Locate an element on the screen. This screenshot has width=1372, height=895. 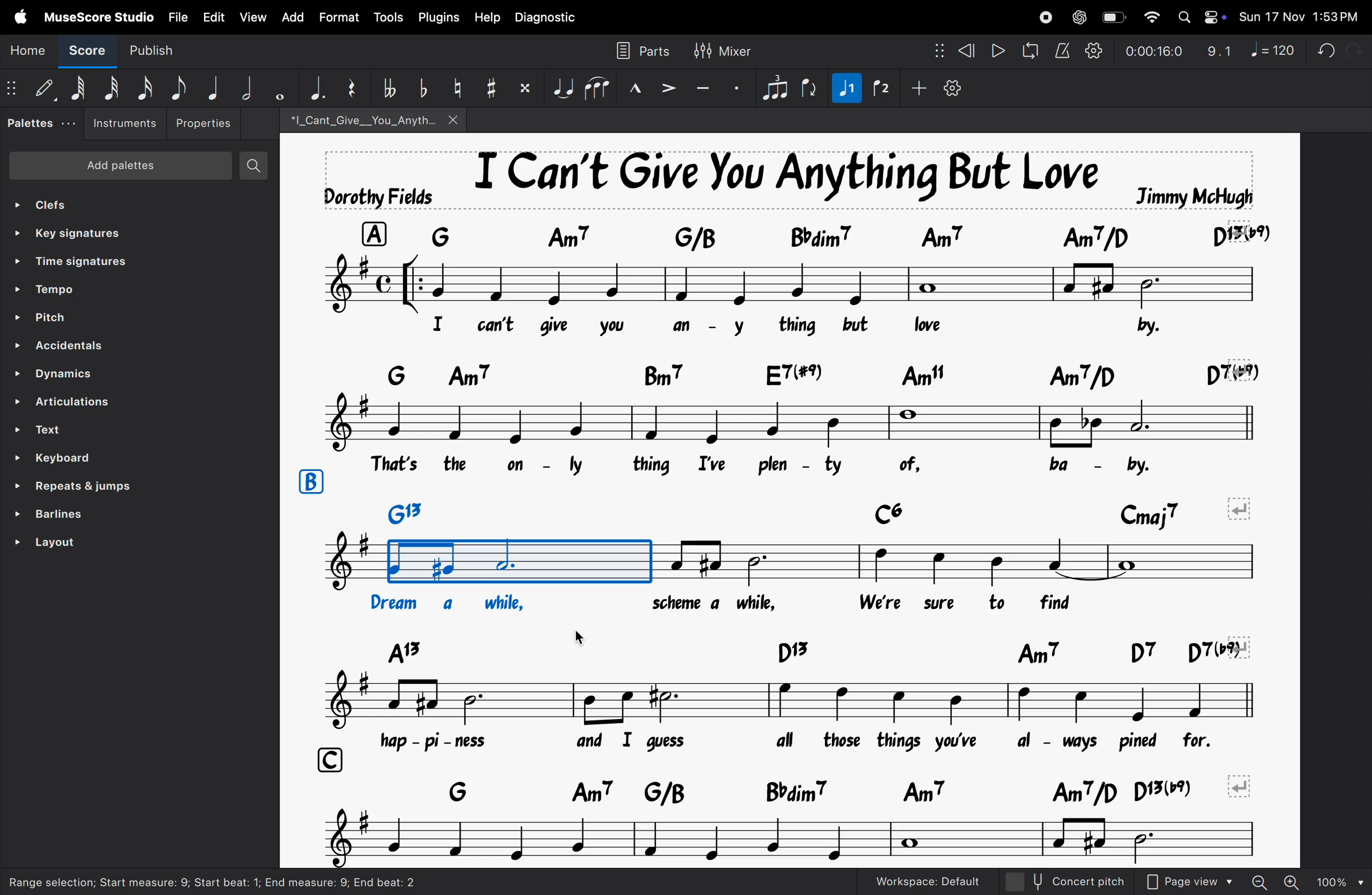
16 th note is located at coordinates (145, 89).